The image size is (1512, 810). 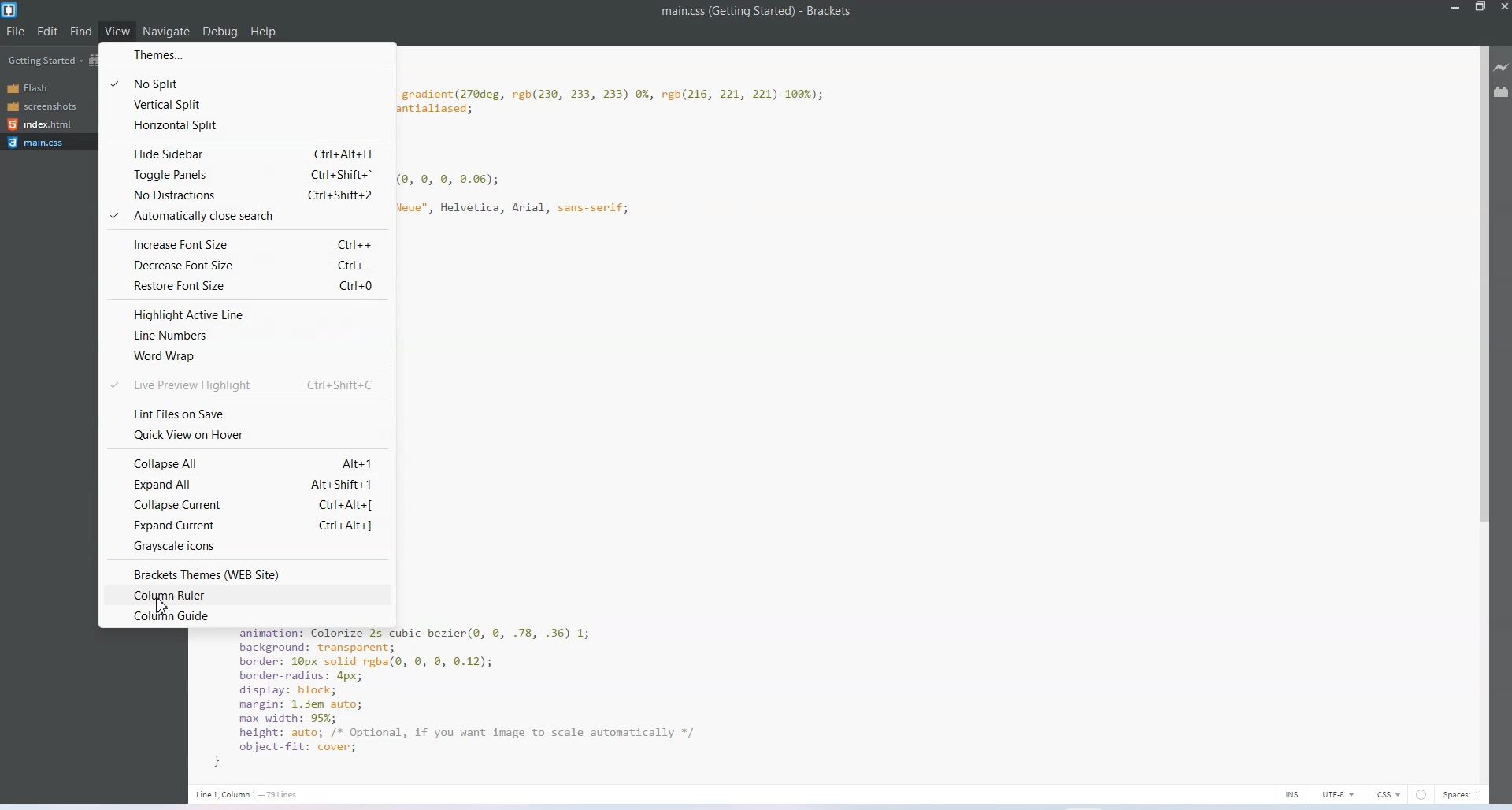 What do you see at coordinates (247, 335) in the screenshot?
I see `Line numbers` at bounding box center [247, 335].